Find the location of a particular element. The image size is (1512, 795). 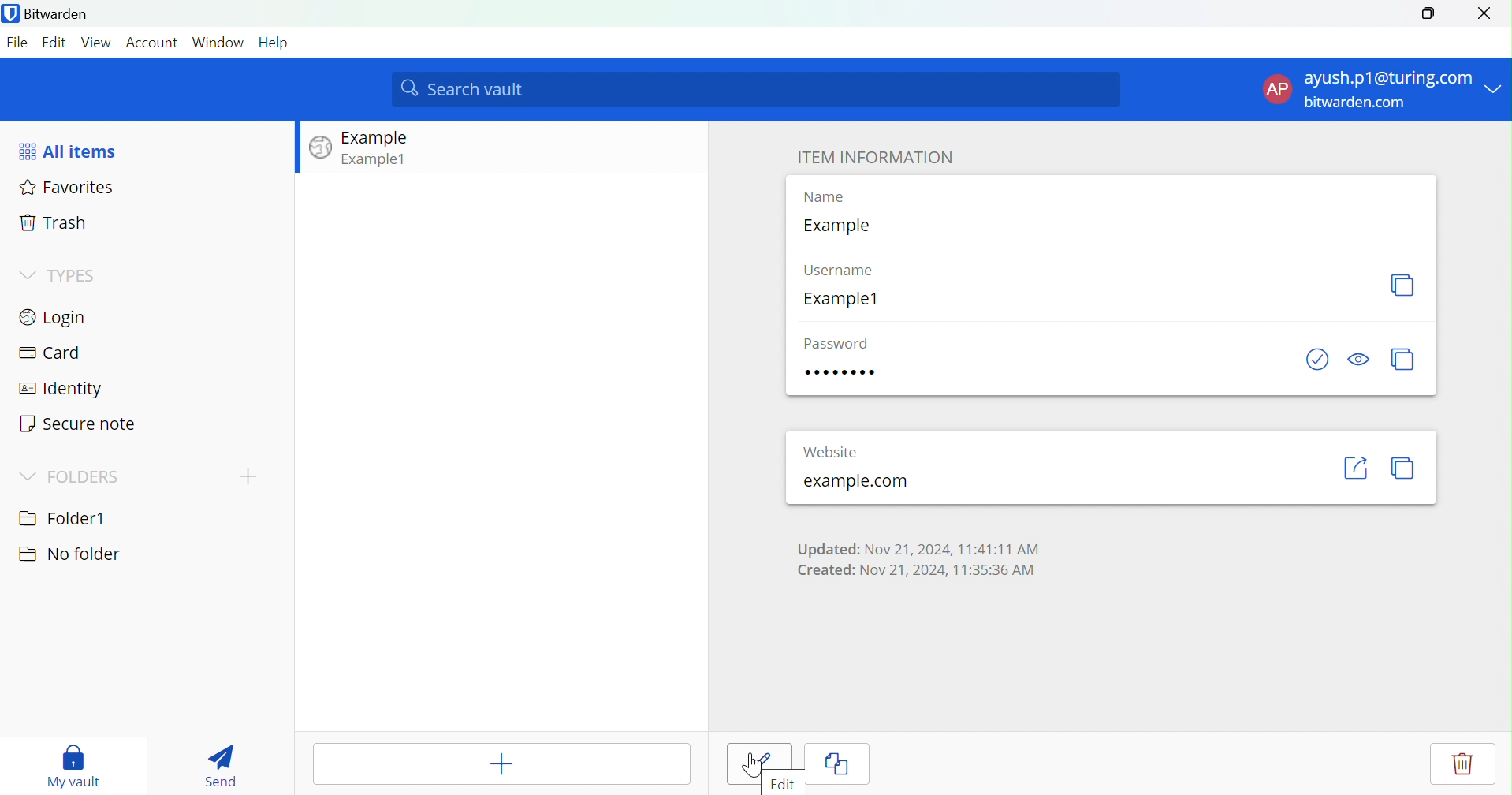

My vault is located at coordinates (74, 763).